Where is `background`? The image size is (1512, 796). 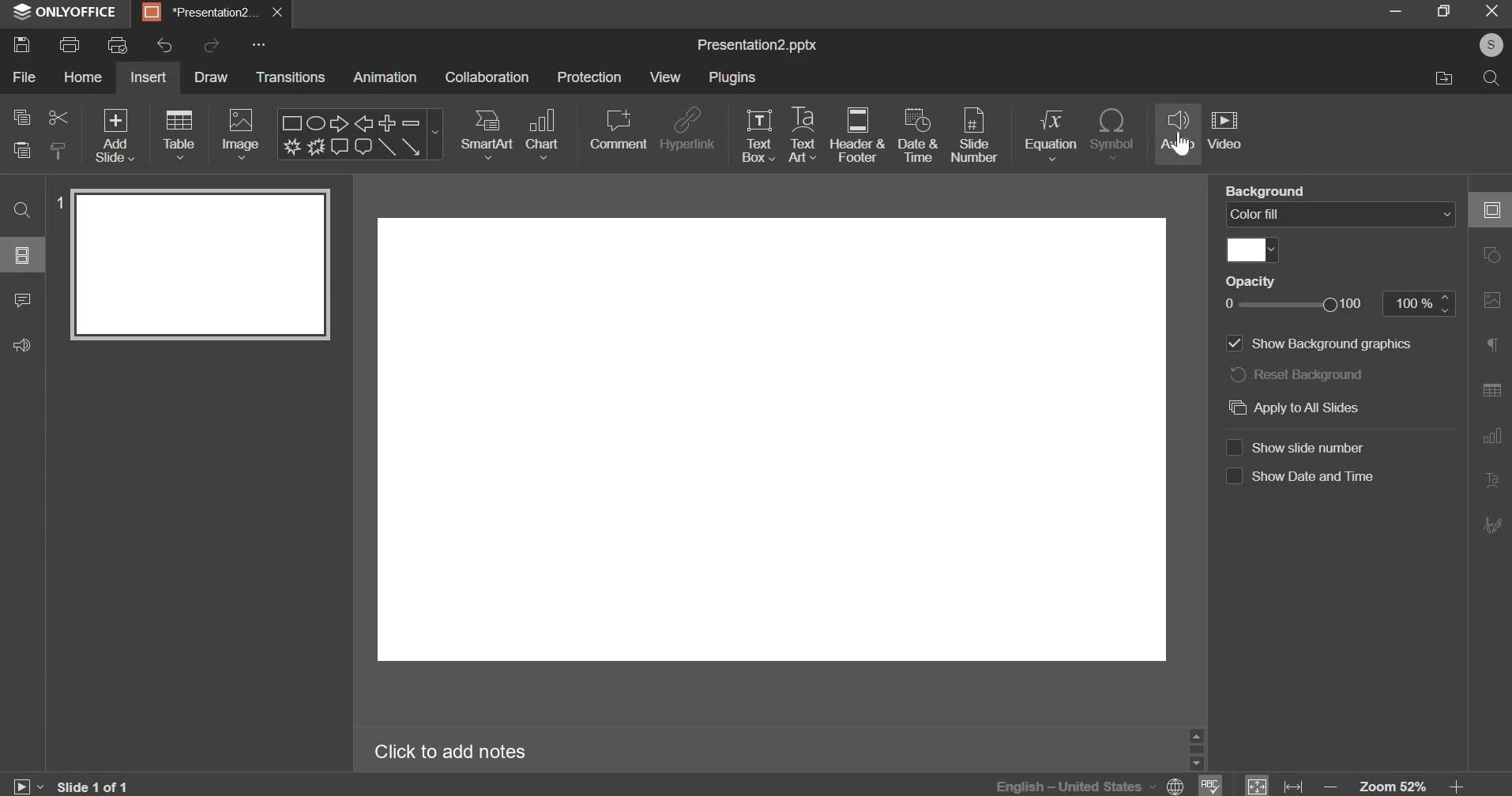
background is located at coordinates (1264, 191).